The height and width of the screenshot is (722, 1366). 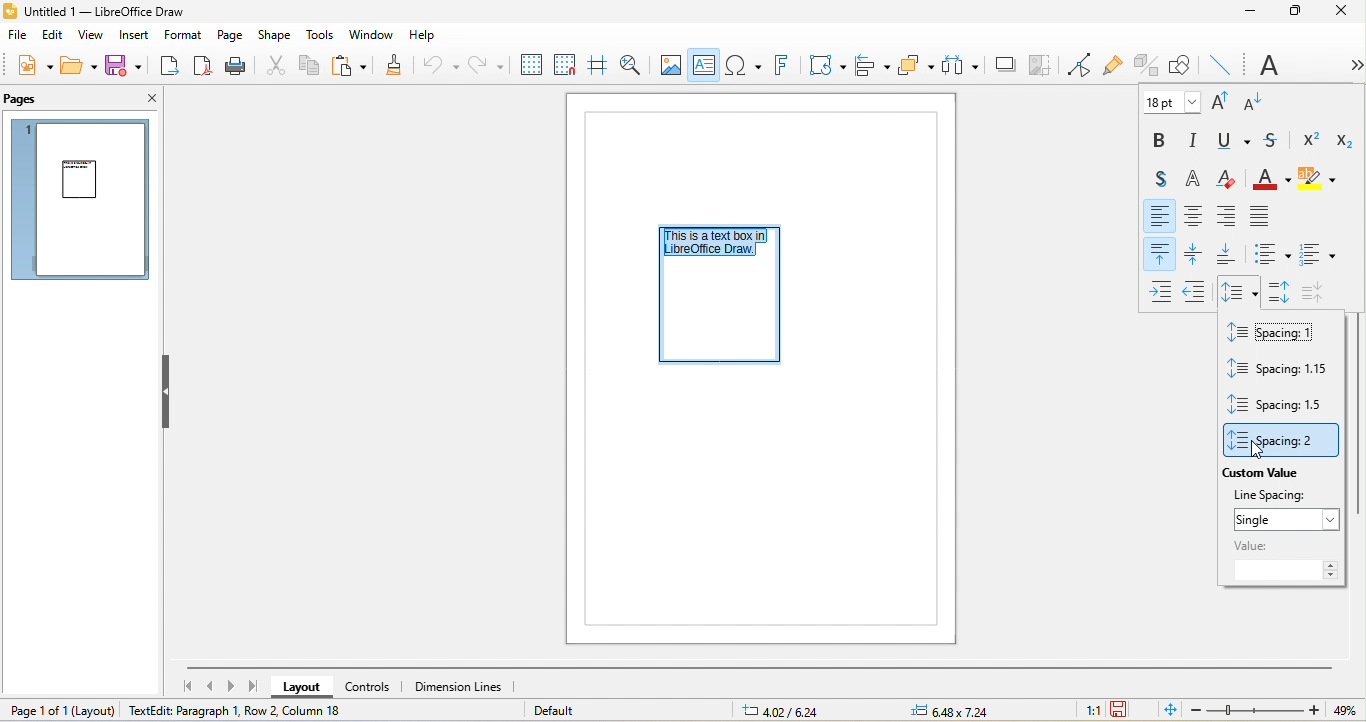 What do you see at coordinates (209, 685) in the screenshot?
I see `previous page` at bounding box center [209, 685].